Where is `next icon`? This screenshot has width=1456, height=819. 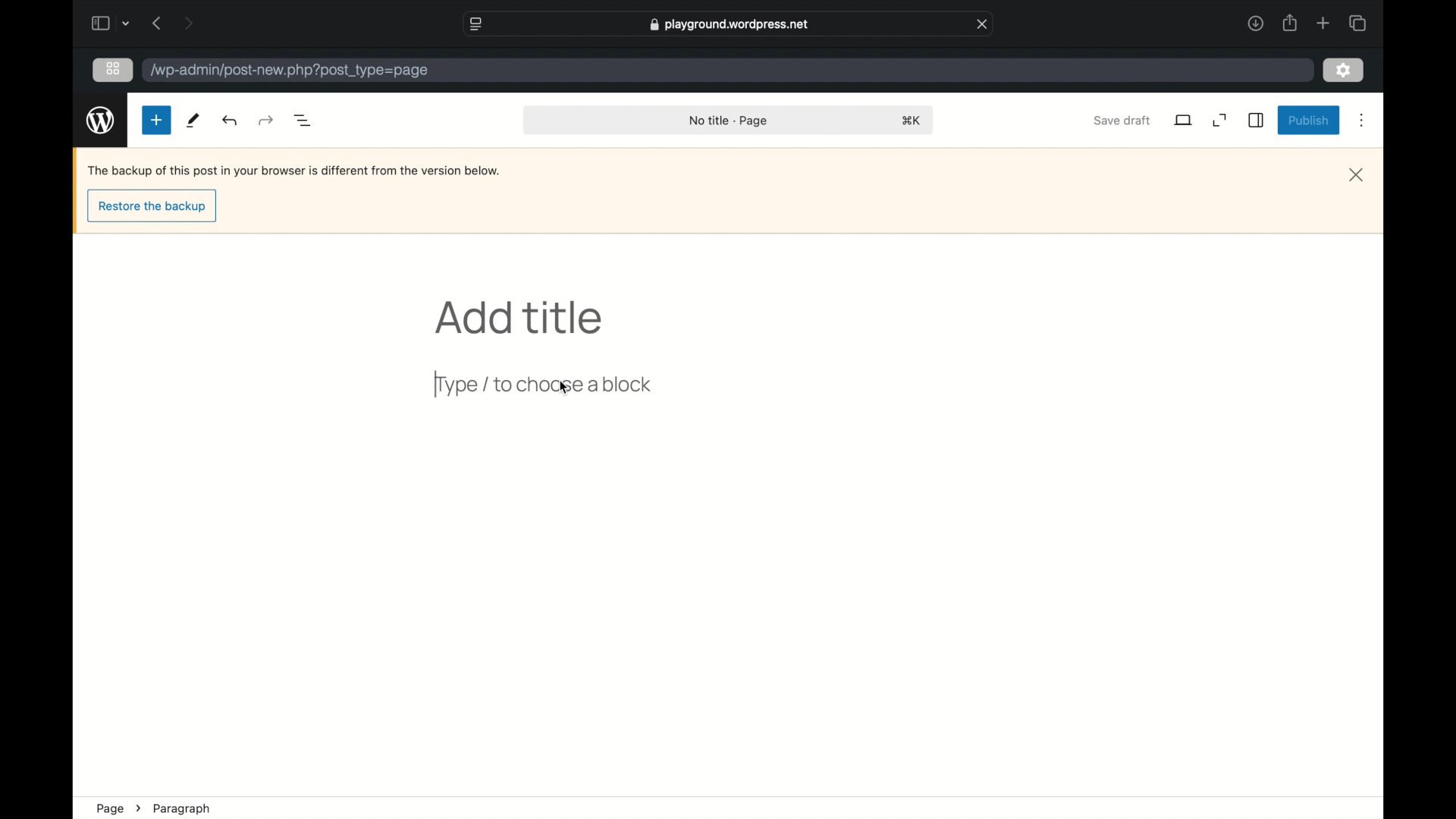 next icon is located at coordinates (138, 808).